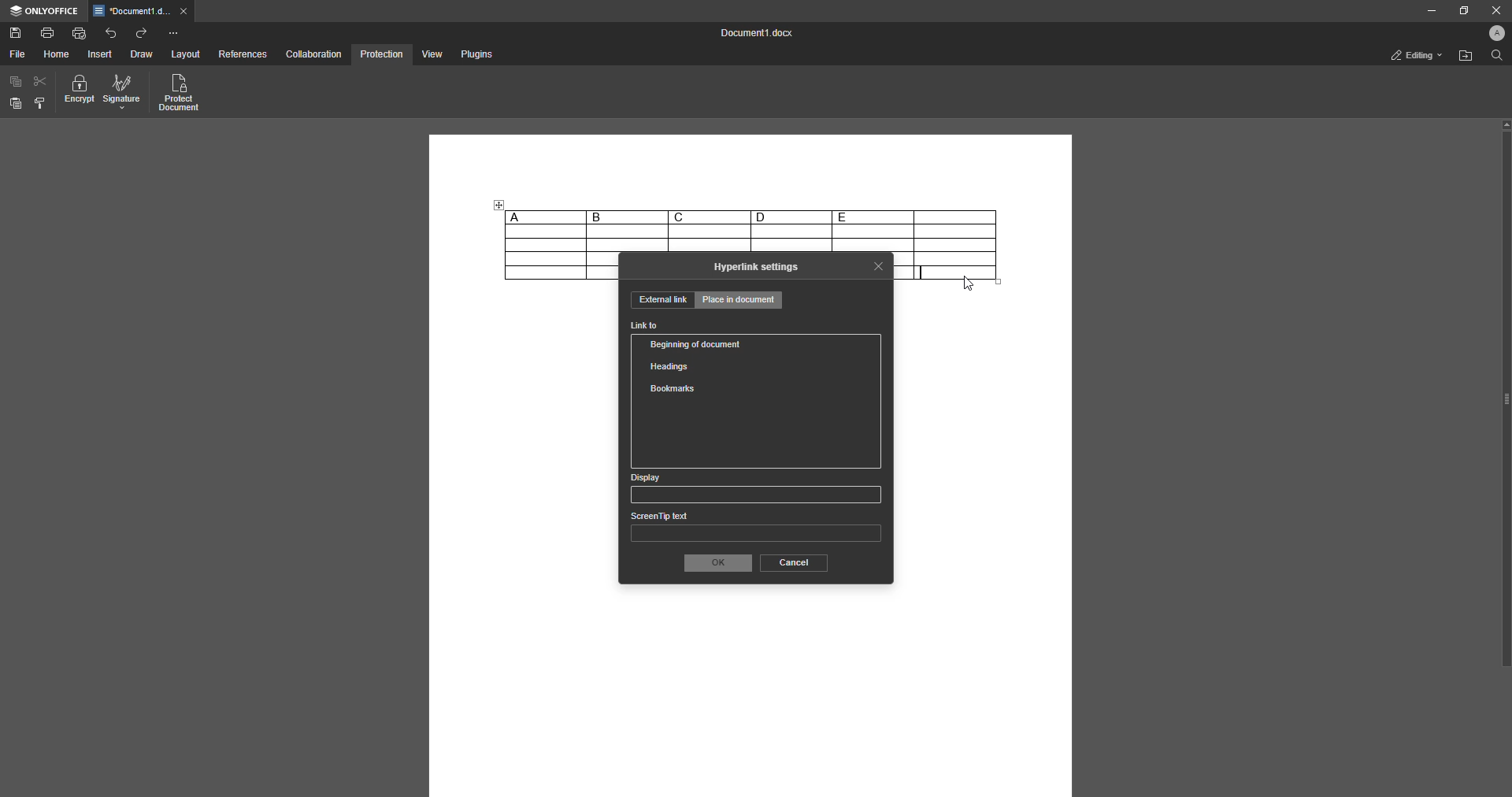  I want to click on Collaboration, so click(314, 54).